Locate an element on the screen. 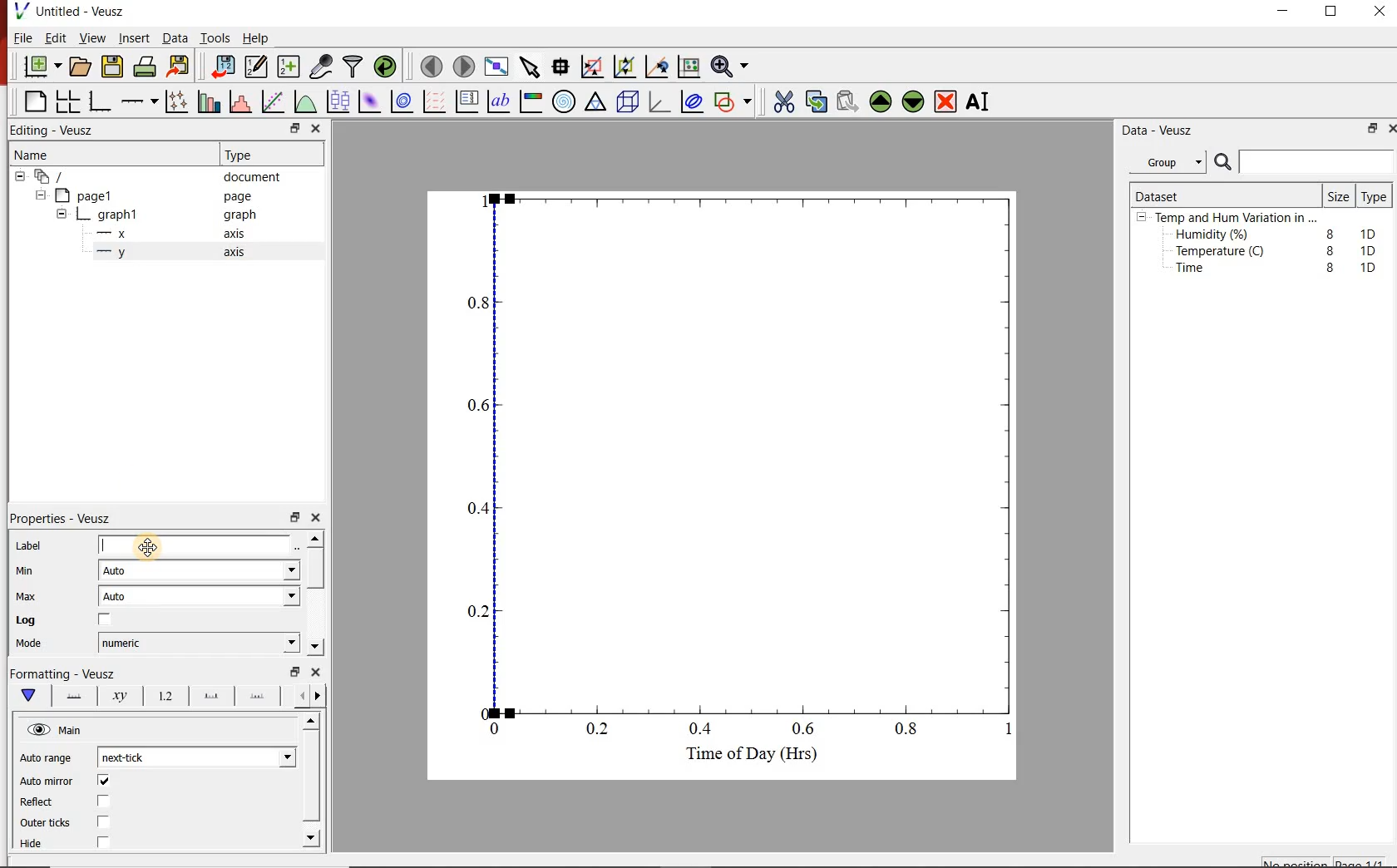 This screenshot has width=1397, height=868. 8 is located at coordinates (1327, 231).